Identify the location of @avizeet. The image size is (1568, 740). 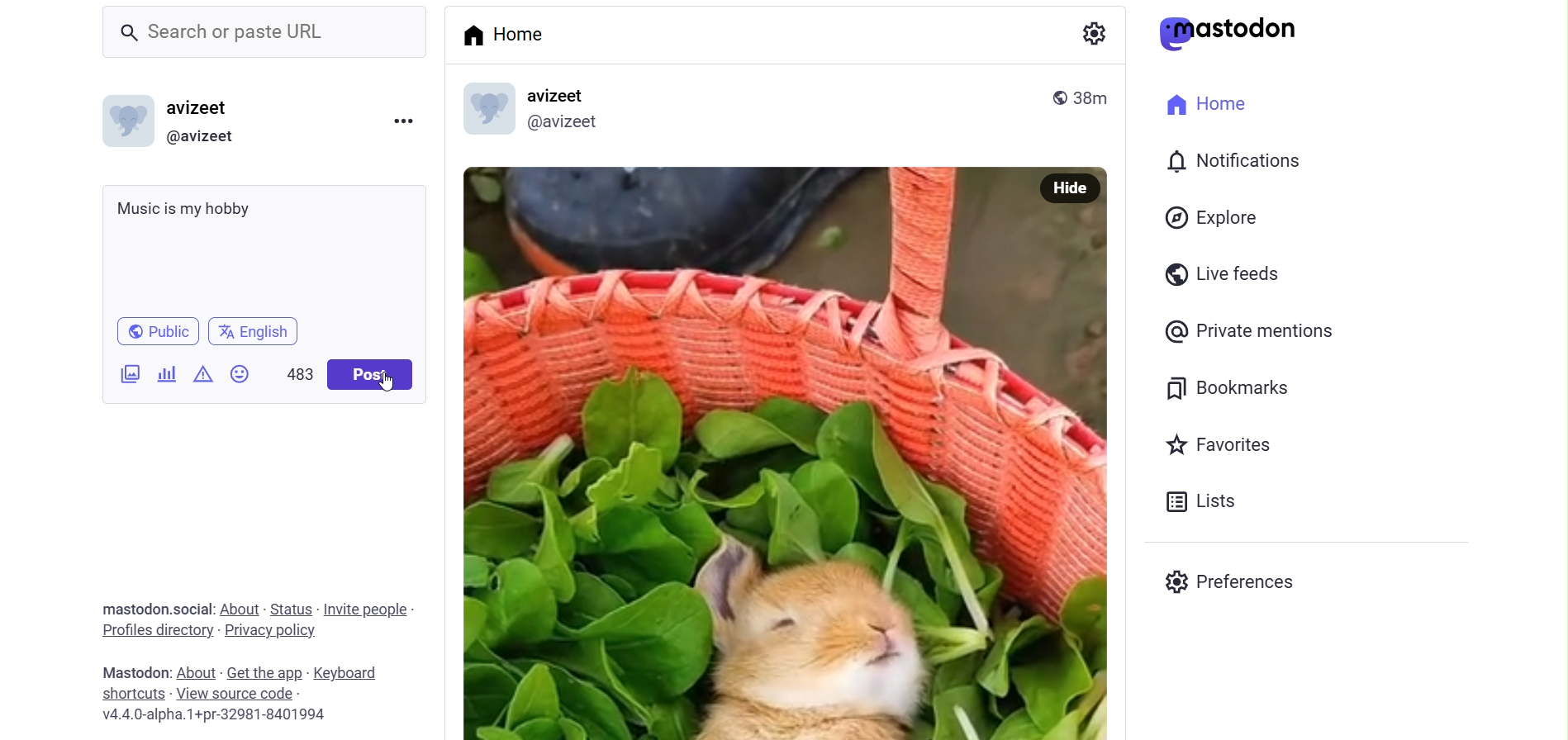
(569, 123).